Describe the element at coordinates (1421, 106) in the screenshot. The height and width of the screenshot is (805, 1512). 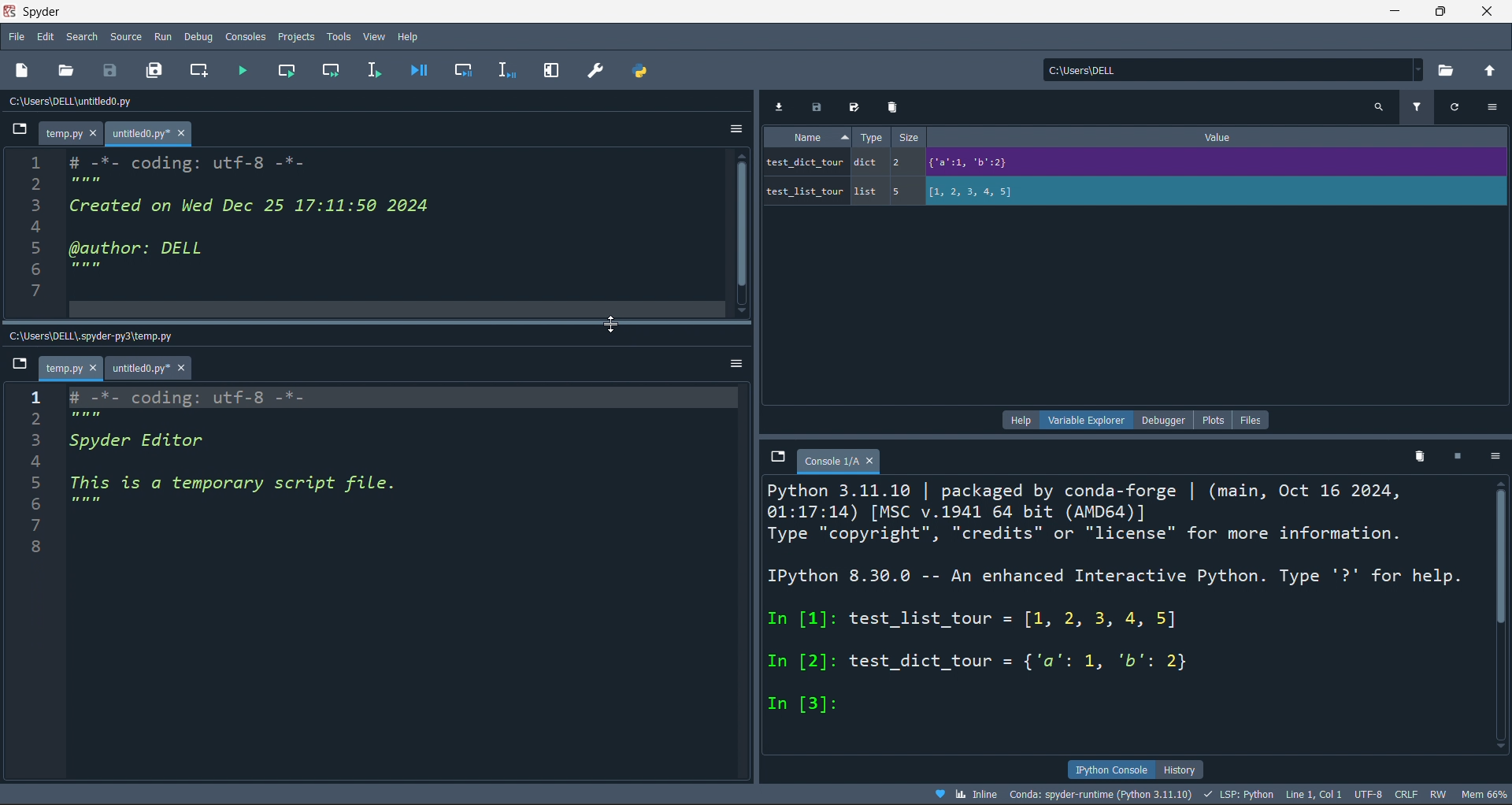
I see `filter variables` at that location.